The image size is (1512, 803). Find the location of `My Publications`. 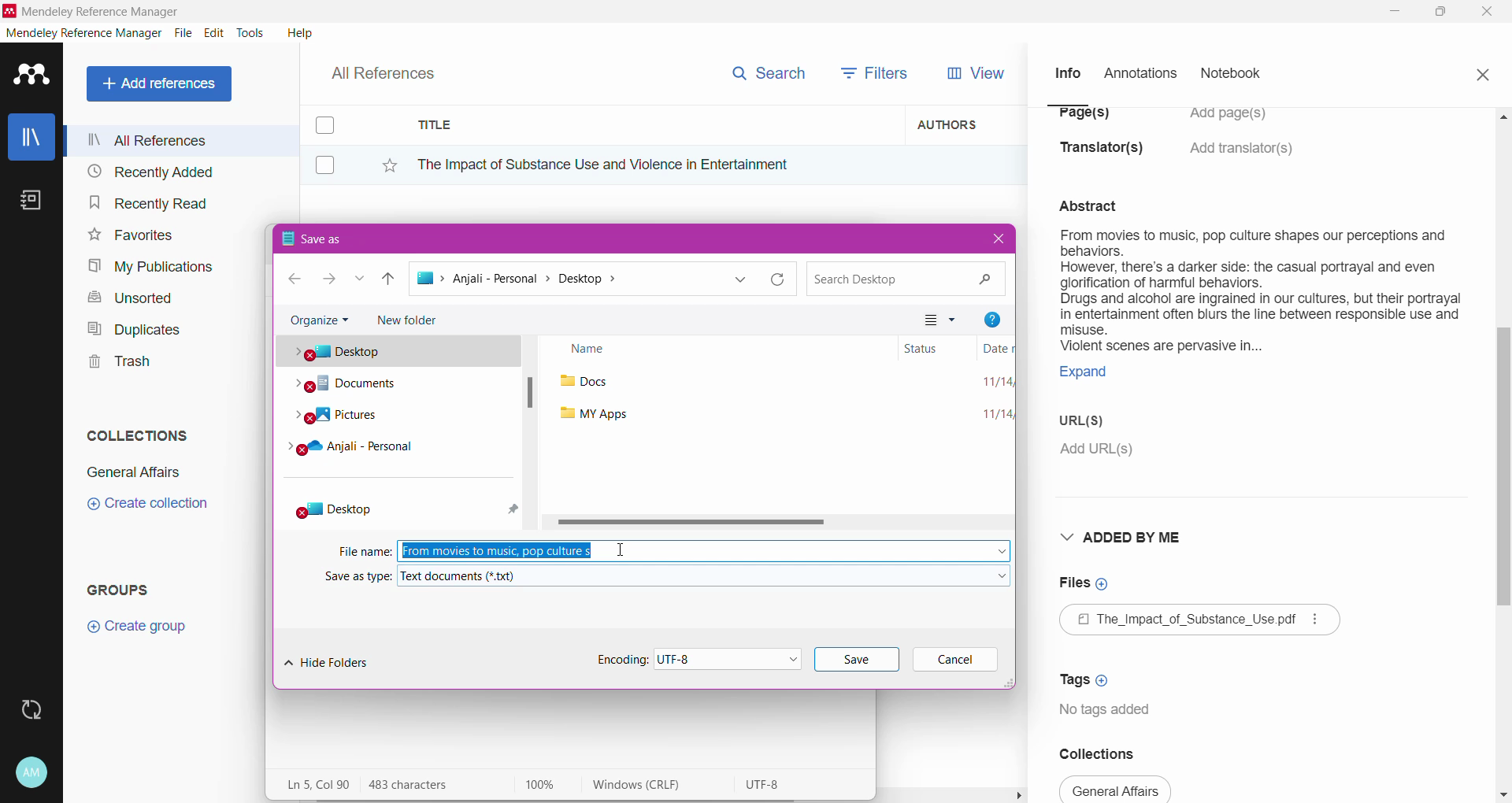

My Publications is located at coordinates (149, 267).